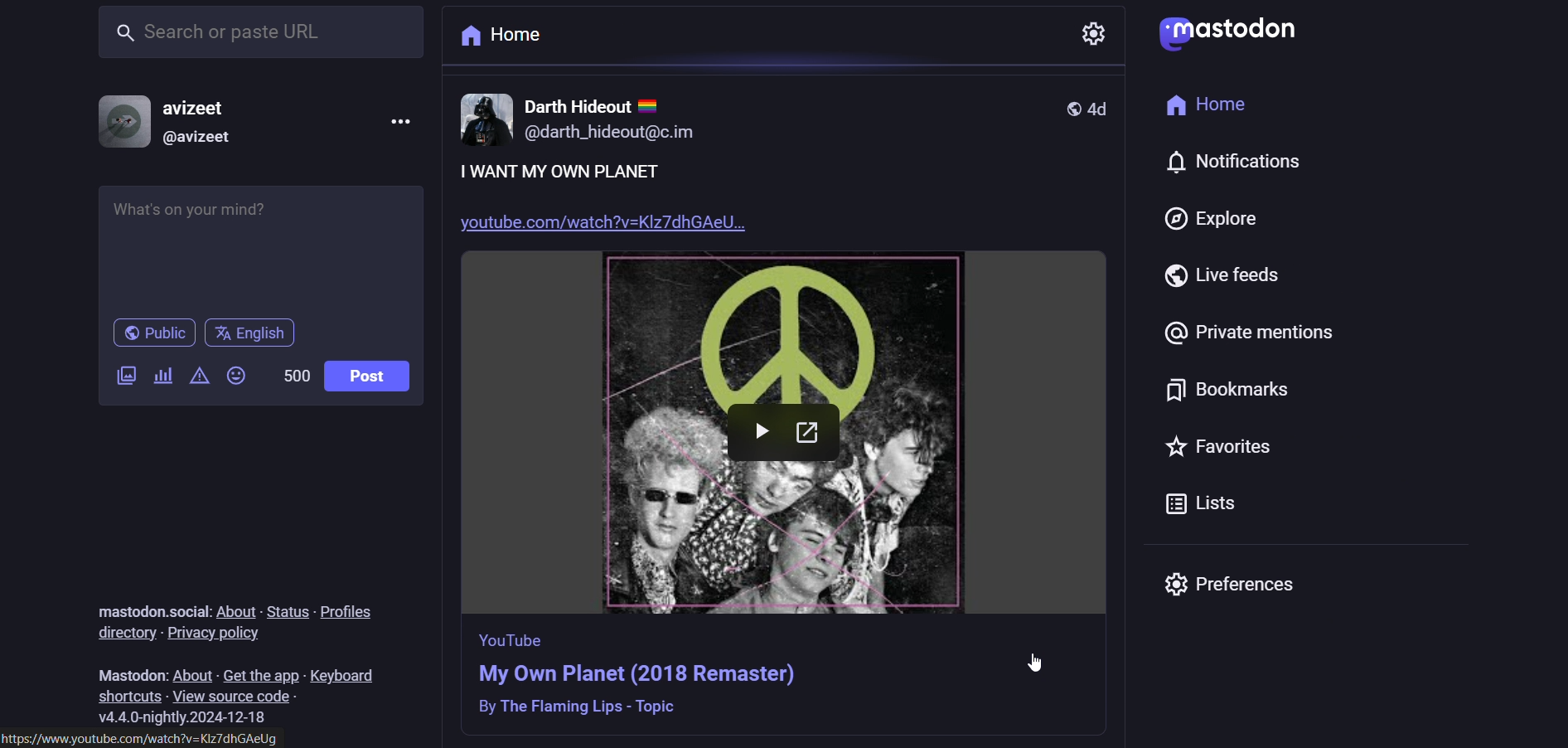 This screenshot has width=1568, height=748. Describe the element at coordinates (148, 333) in the screenshot. I see `public ` at that location.